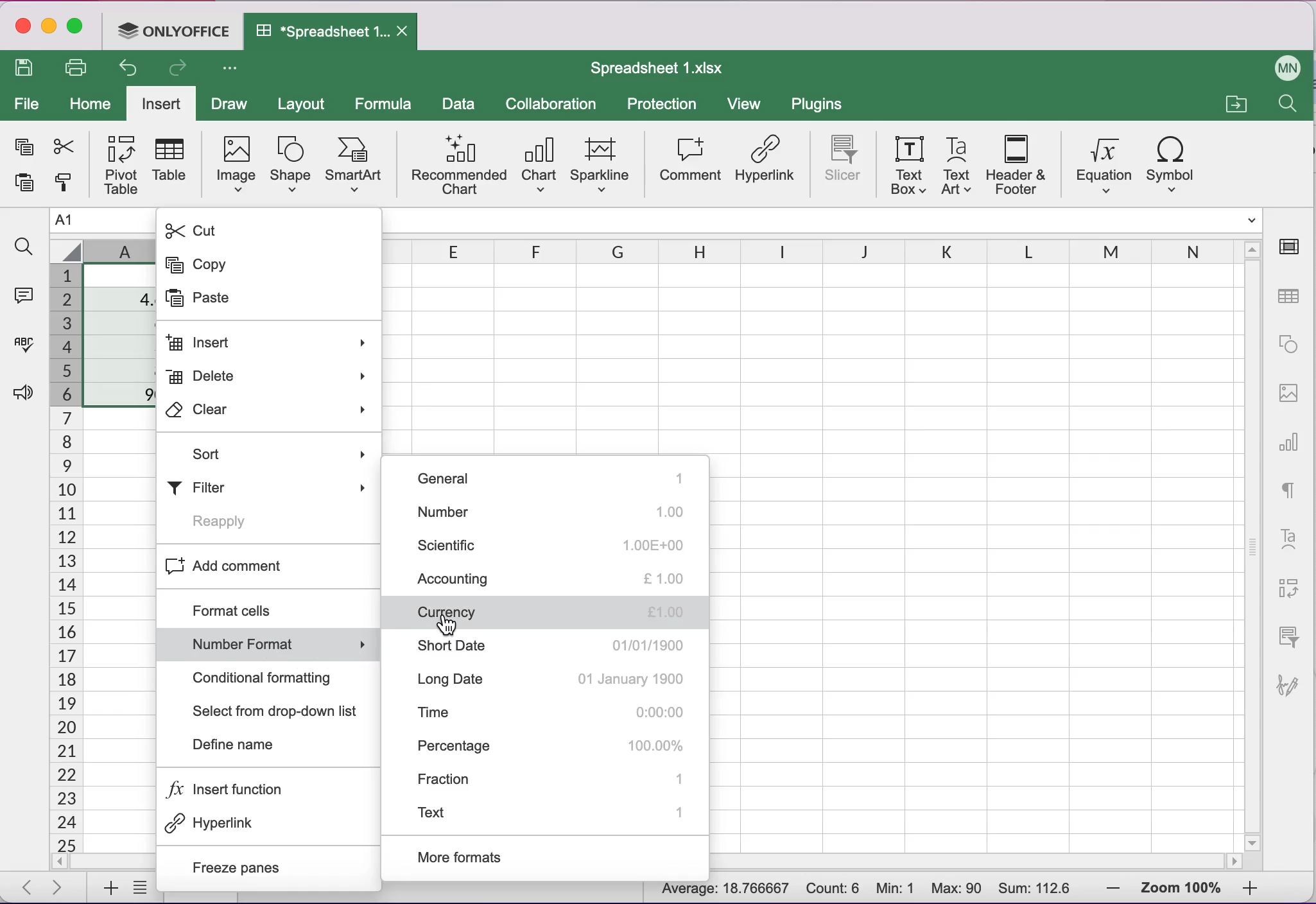  What do you see at coordinates (60, 184) in the screenshot?
I see `copy style` at bounding box center [60, 184].